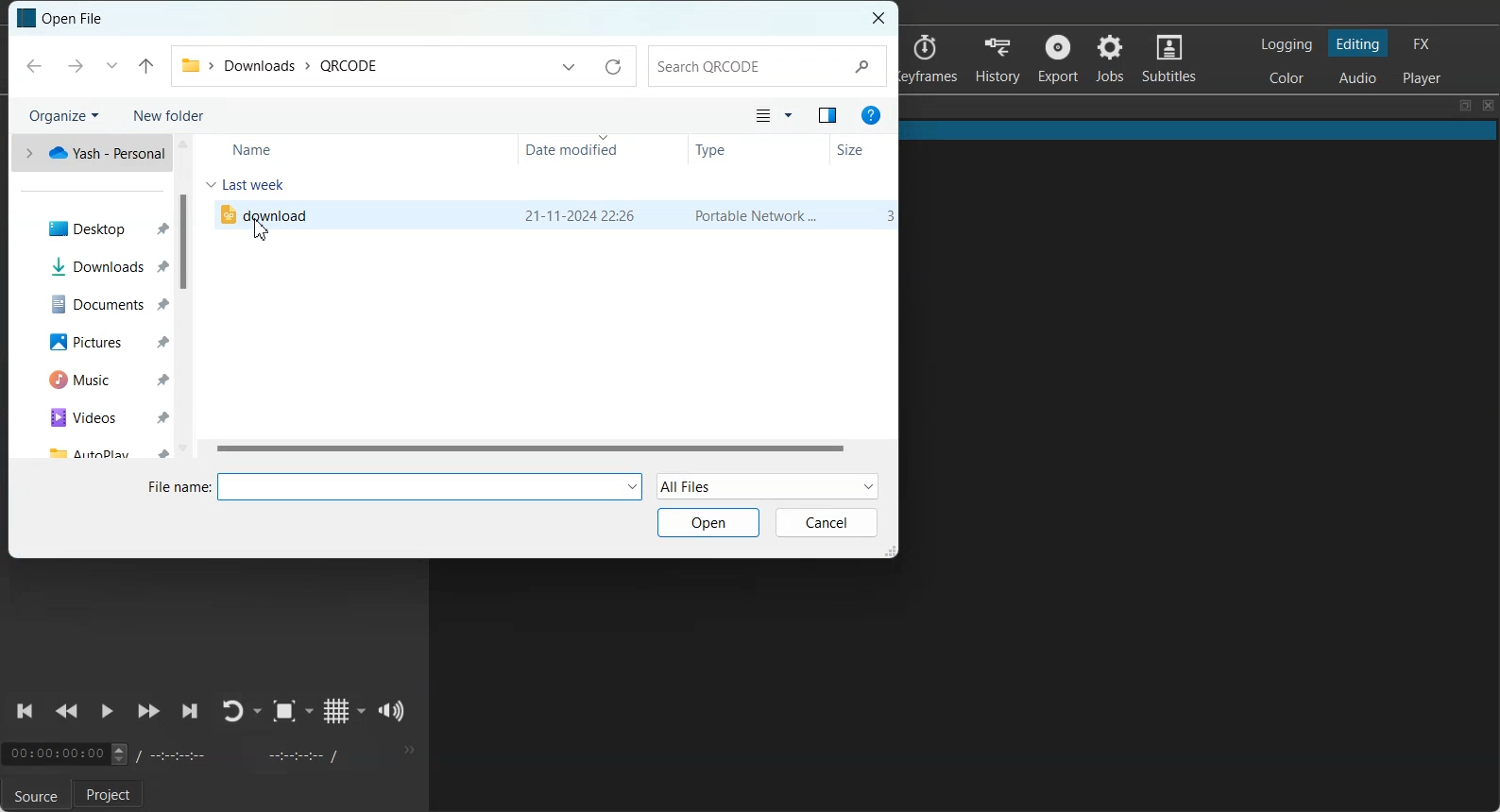 The image size is (1500, 812). What do you see at coordinates (183, 145) in the screenshot?
I see `scroll up` at bounding box center [183, 145].